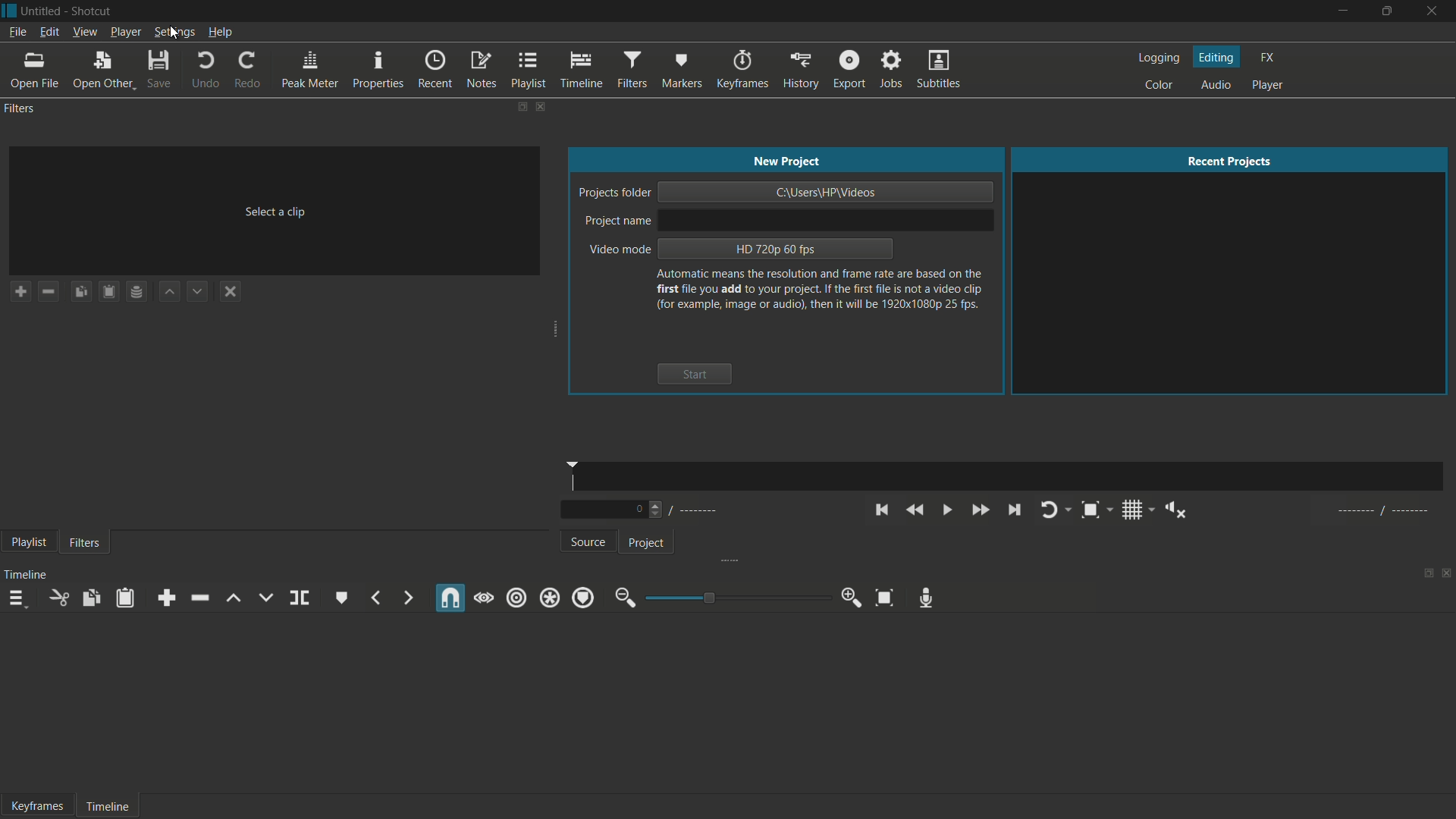 This screenshot has height=819, width=1456. I want to click on change layout, so click(516, 105).